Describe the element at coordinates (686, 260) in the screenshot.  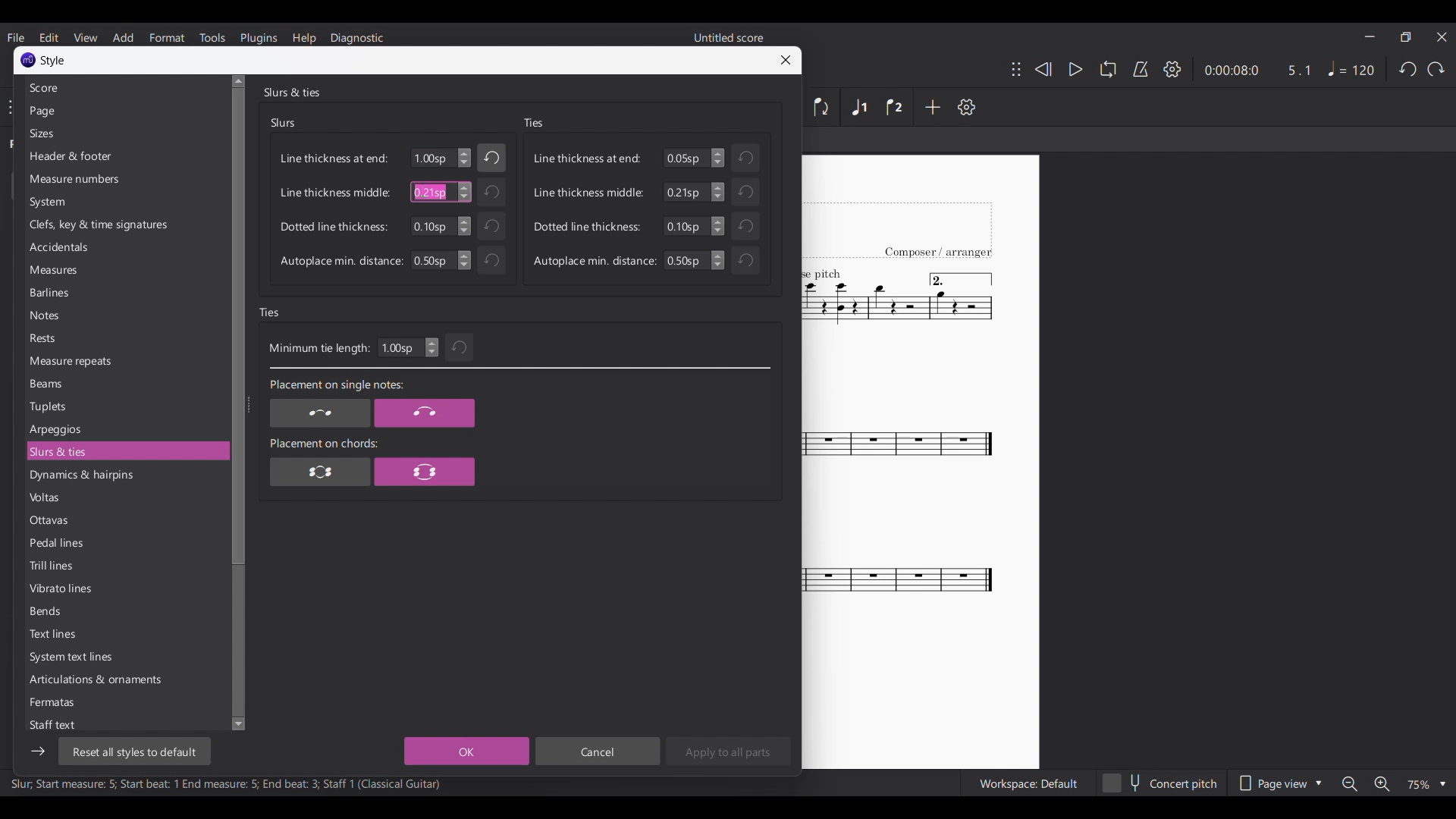
I see `Input autoplace min. distance` at that location.